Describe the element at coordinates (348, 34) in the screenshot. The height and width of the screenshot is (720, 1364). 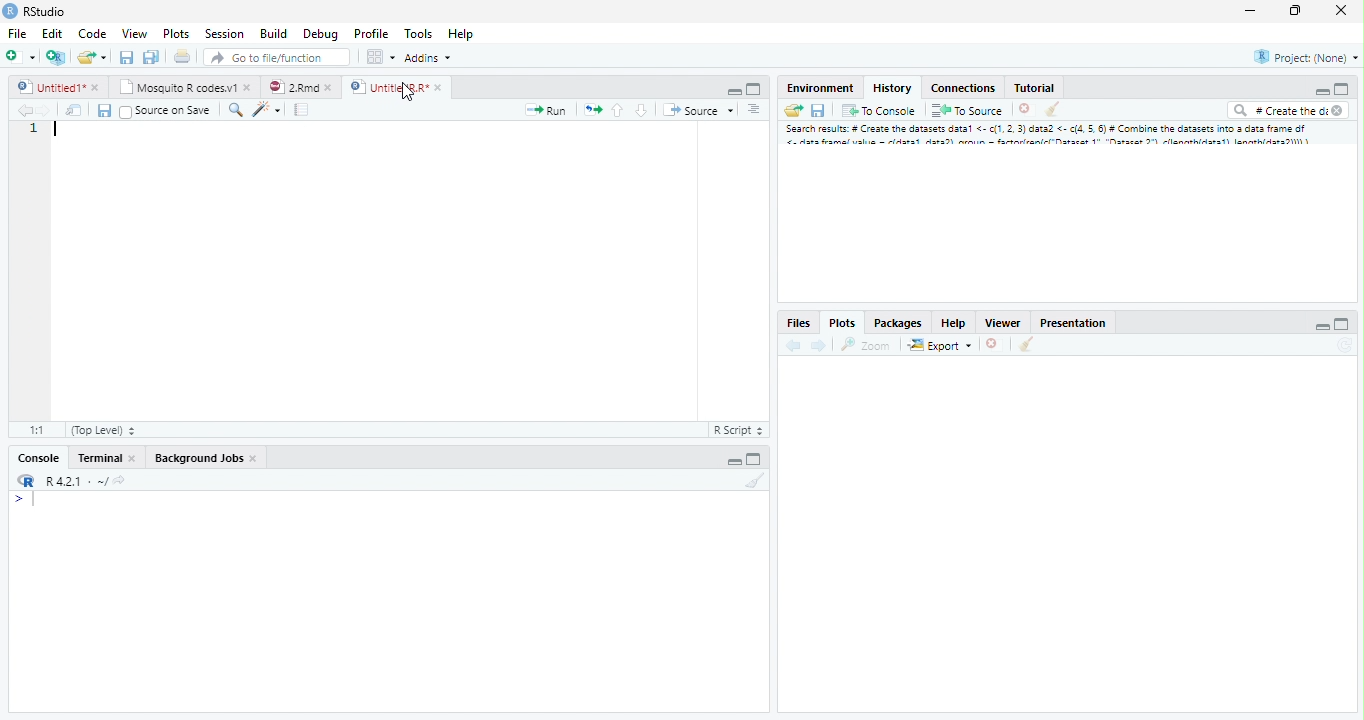
I see `Debug` at that location.